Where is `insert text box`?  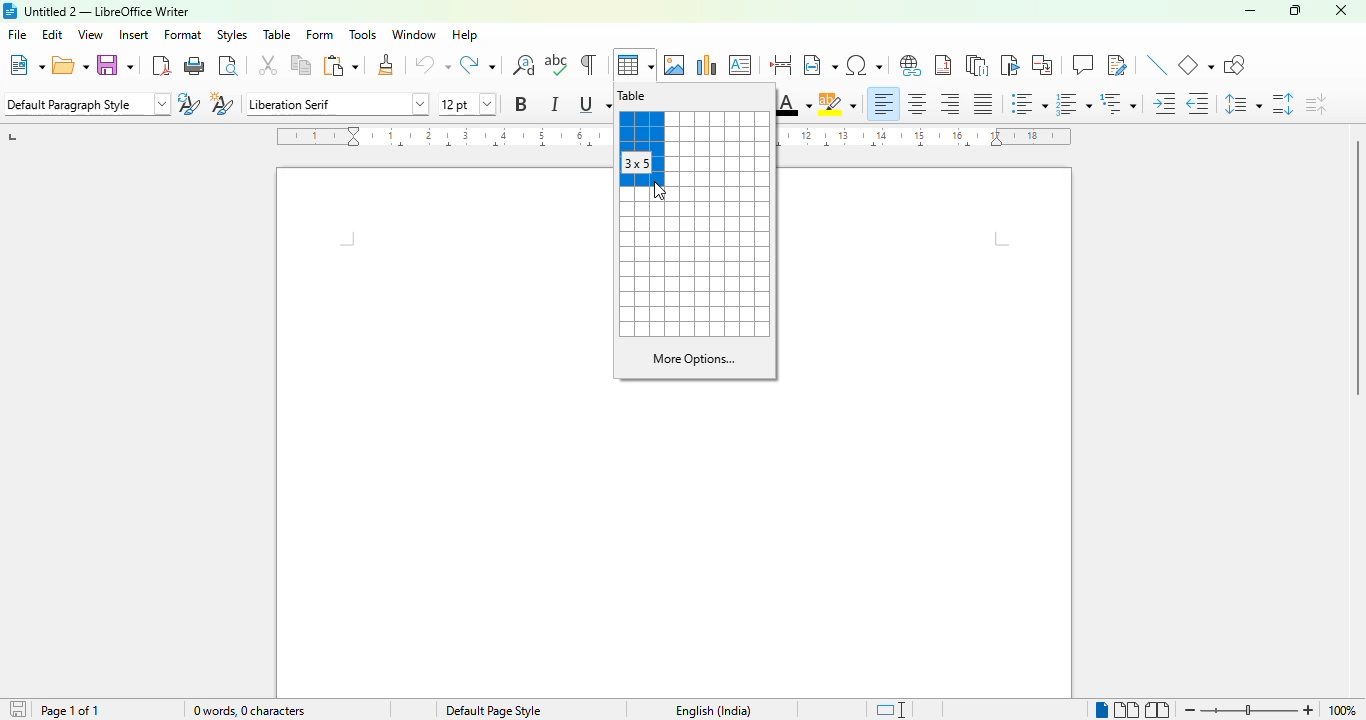 insert text box is located at coordinates (741, 64).